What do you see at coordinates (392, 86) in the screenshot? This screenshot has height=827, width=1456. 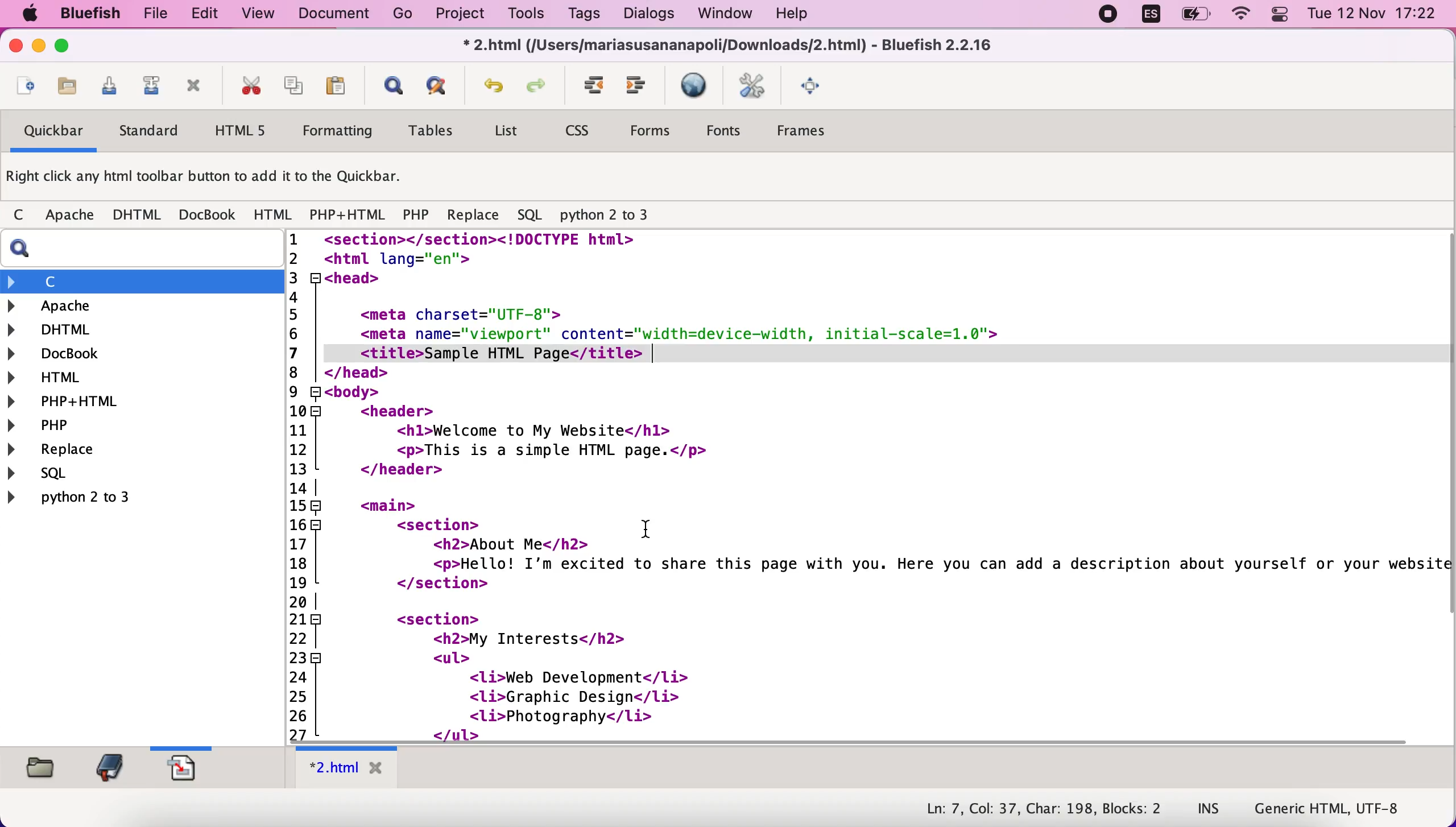 I see `show side bar` at bounding box center [392, 86].